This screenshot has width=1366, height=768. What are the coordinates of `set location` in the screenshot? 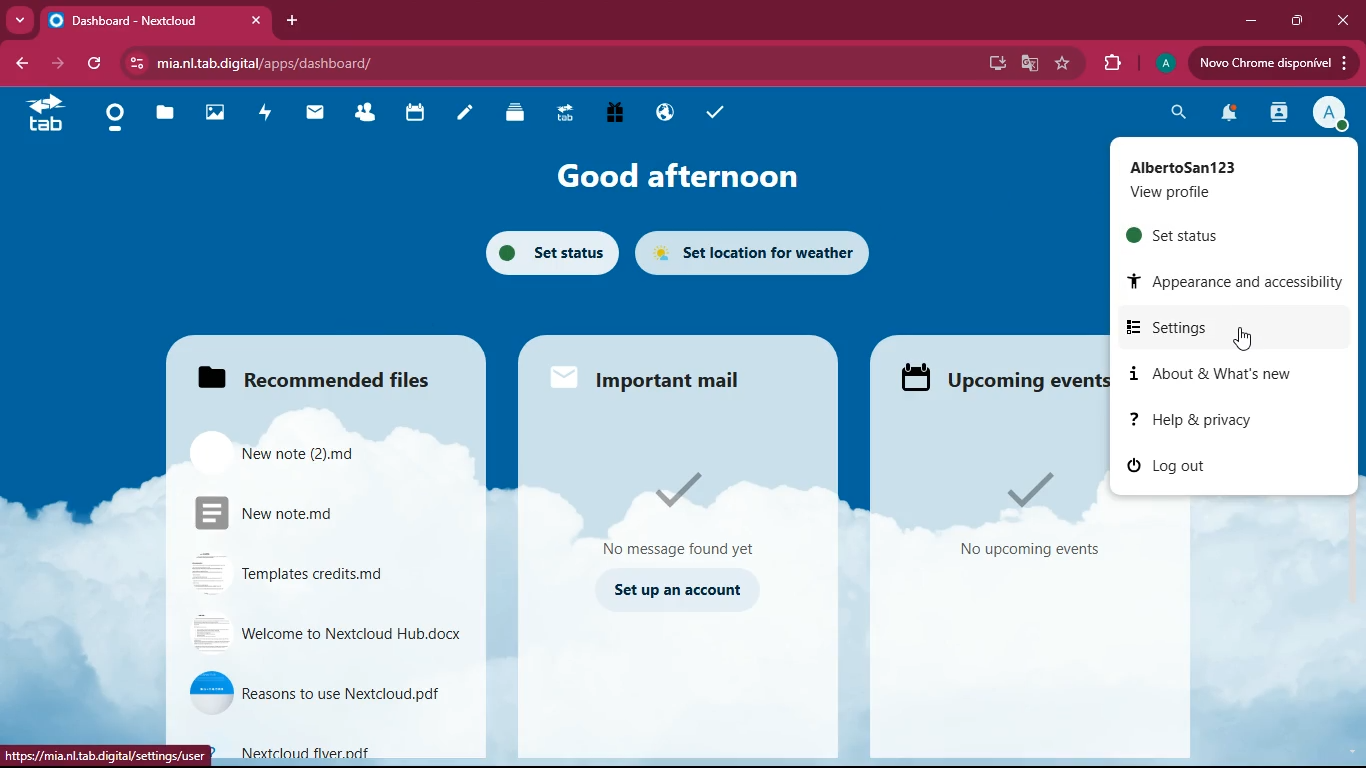 It's located at (760, 253).